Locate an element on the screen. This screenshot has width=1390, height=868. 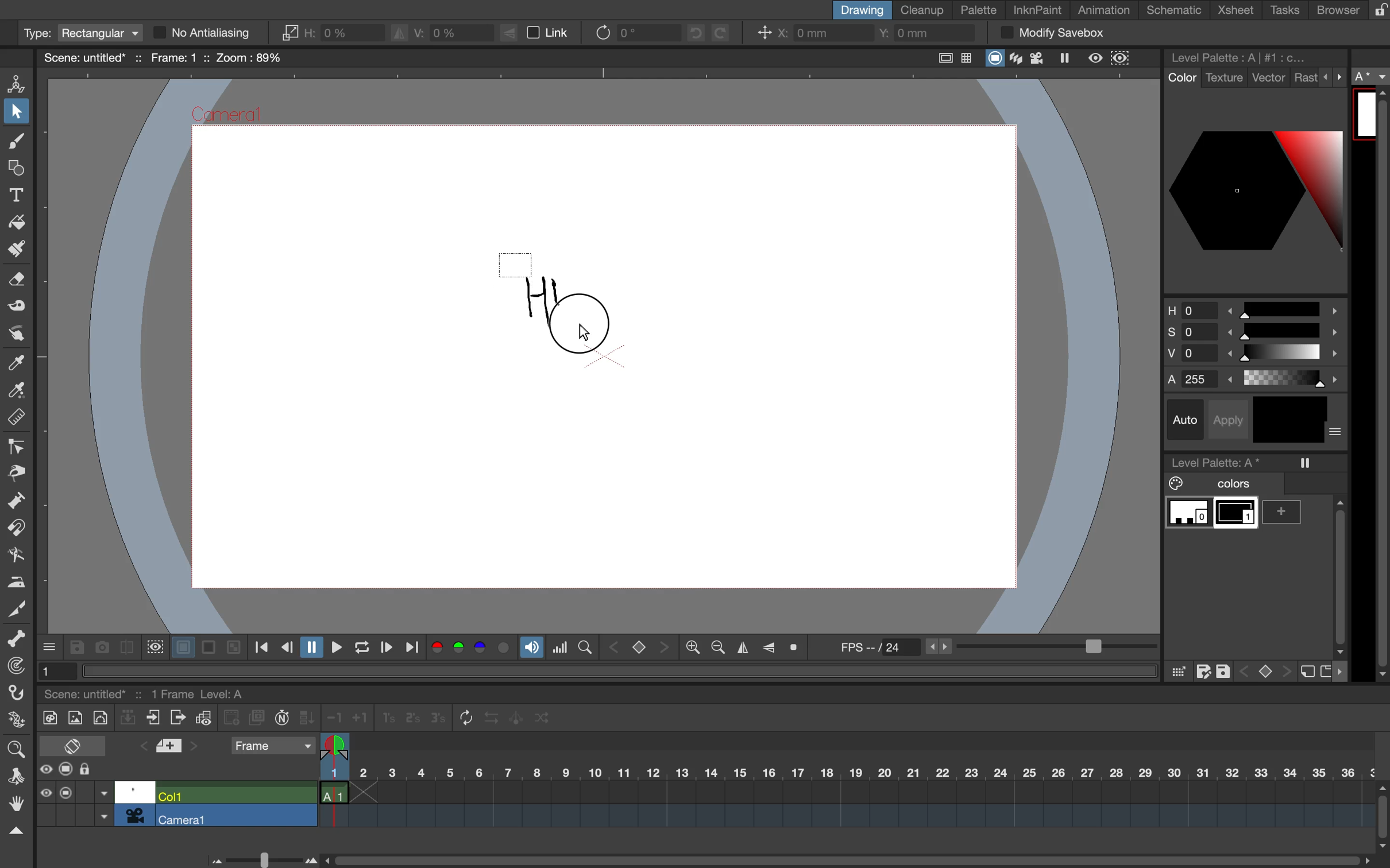
tape tool is located at coordinates (14, 308).